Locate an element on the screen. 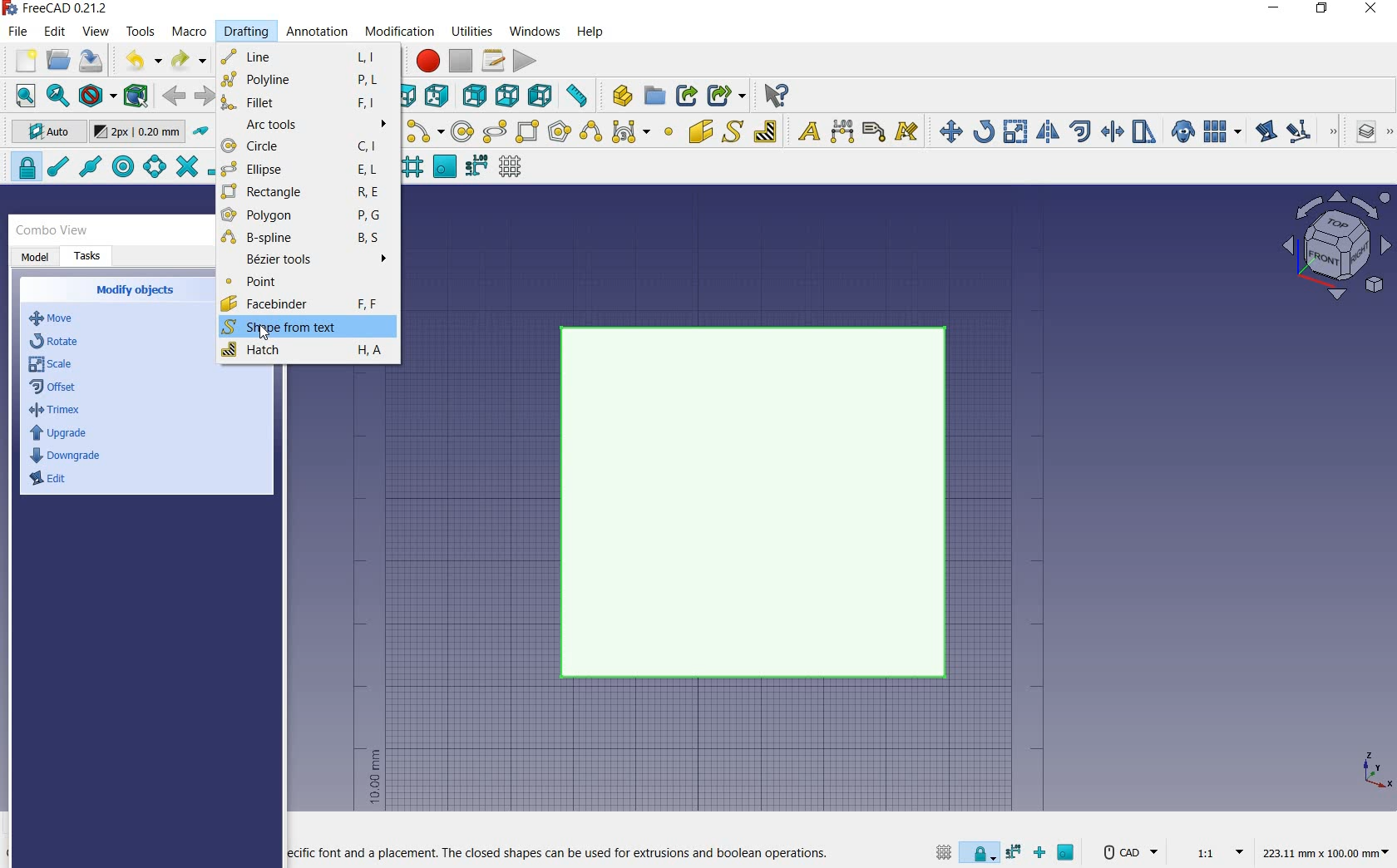  rear is located at coordinates (476, 96).